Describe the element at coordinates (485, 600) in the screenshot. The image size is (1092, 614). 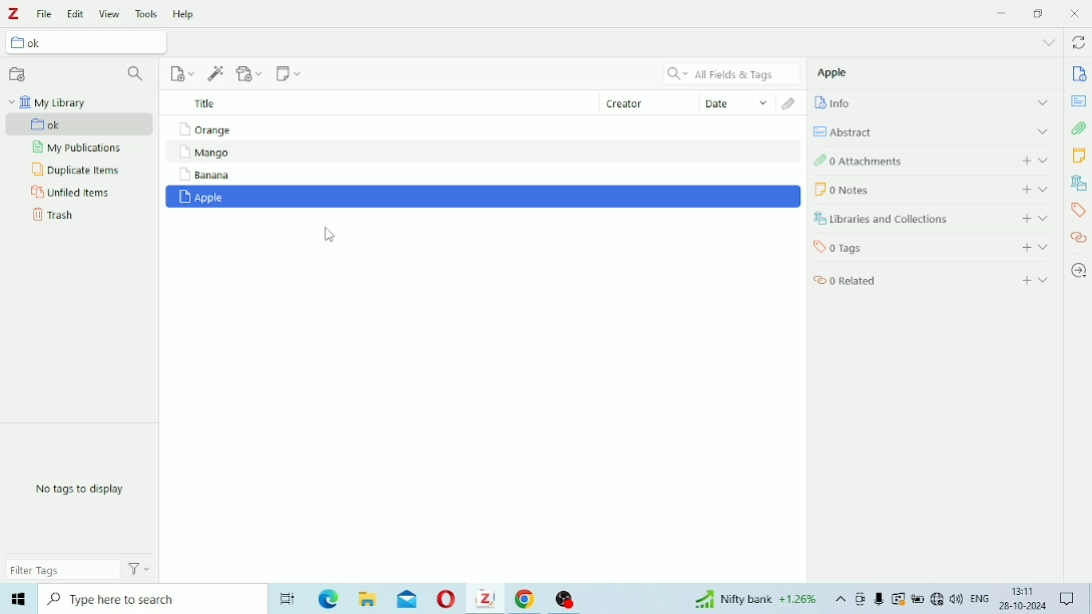
I see `Zotero` at that location.